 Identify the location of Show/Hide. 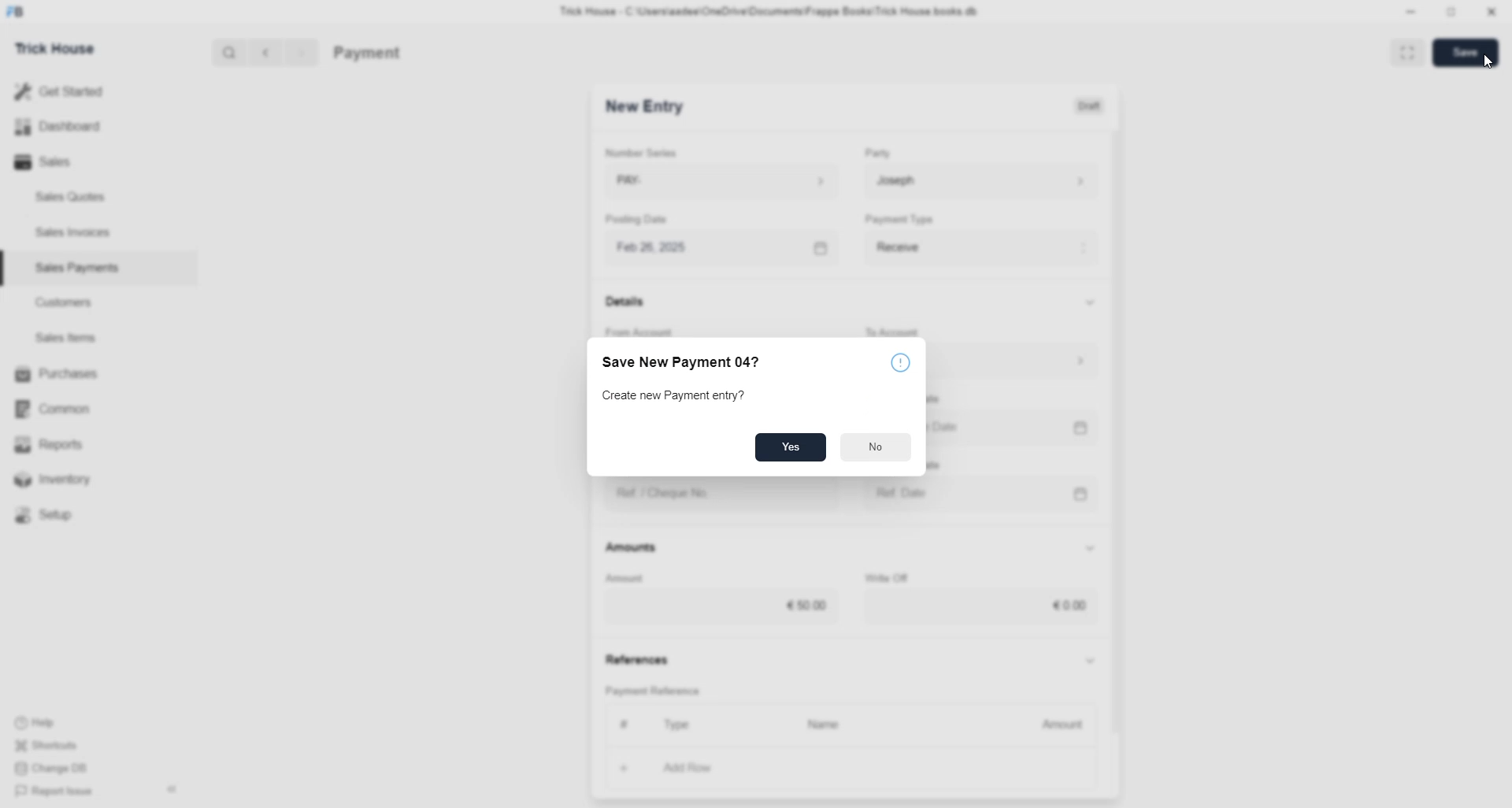
(1089, 548).